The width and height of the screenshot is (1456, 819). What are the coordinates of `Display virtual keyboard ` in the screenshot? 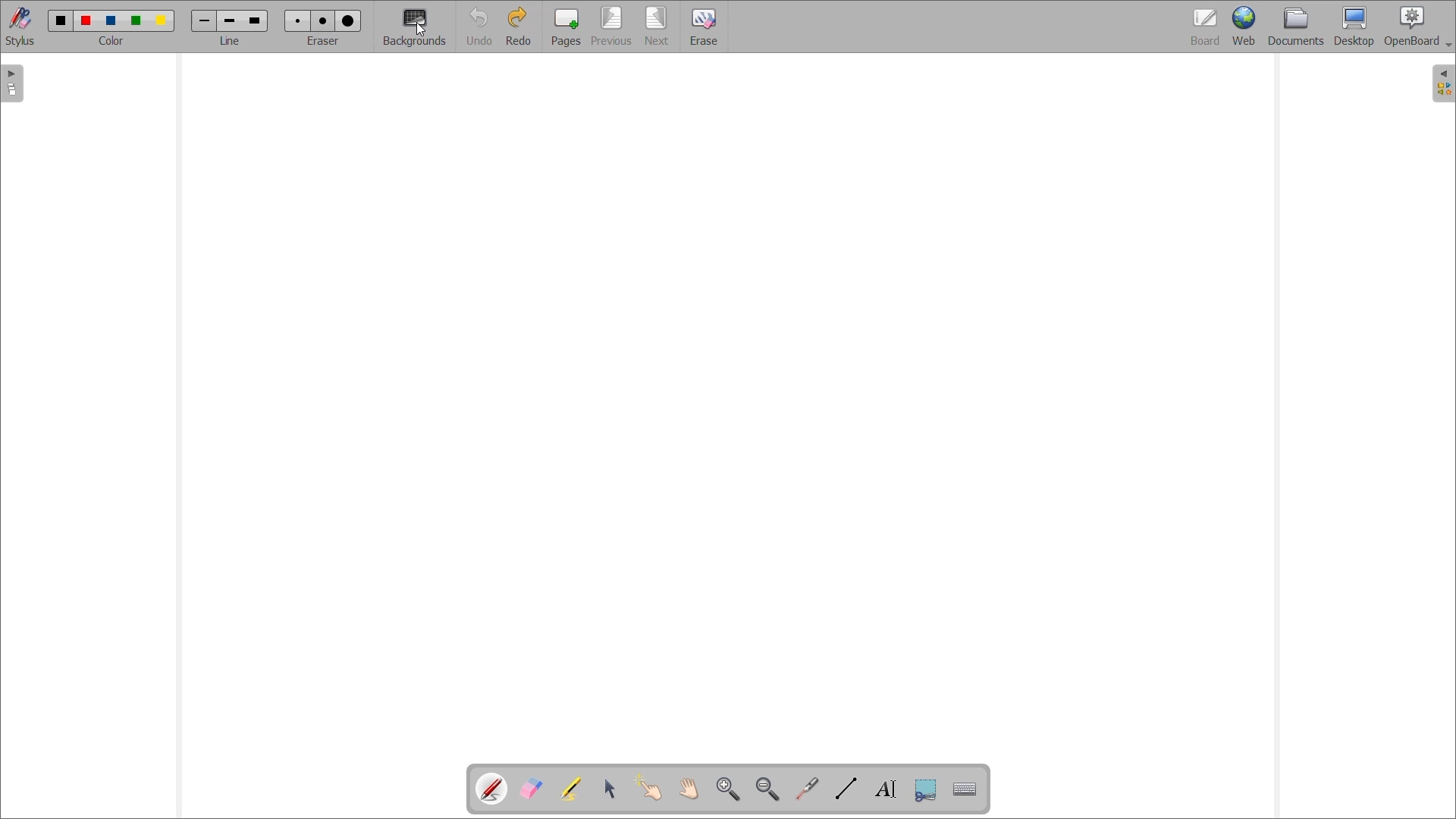 It's located at (965, 789).